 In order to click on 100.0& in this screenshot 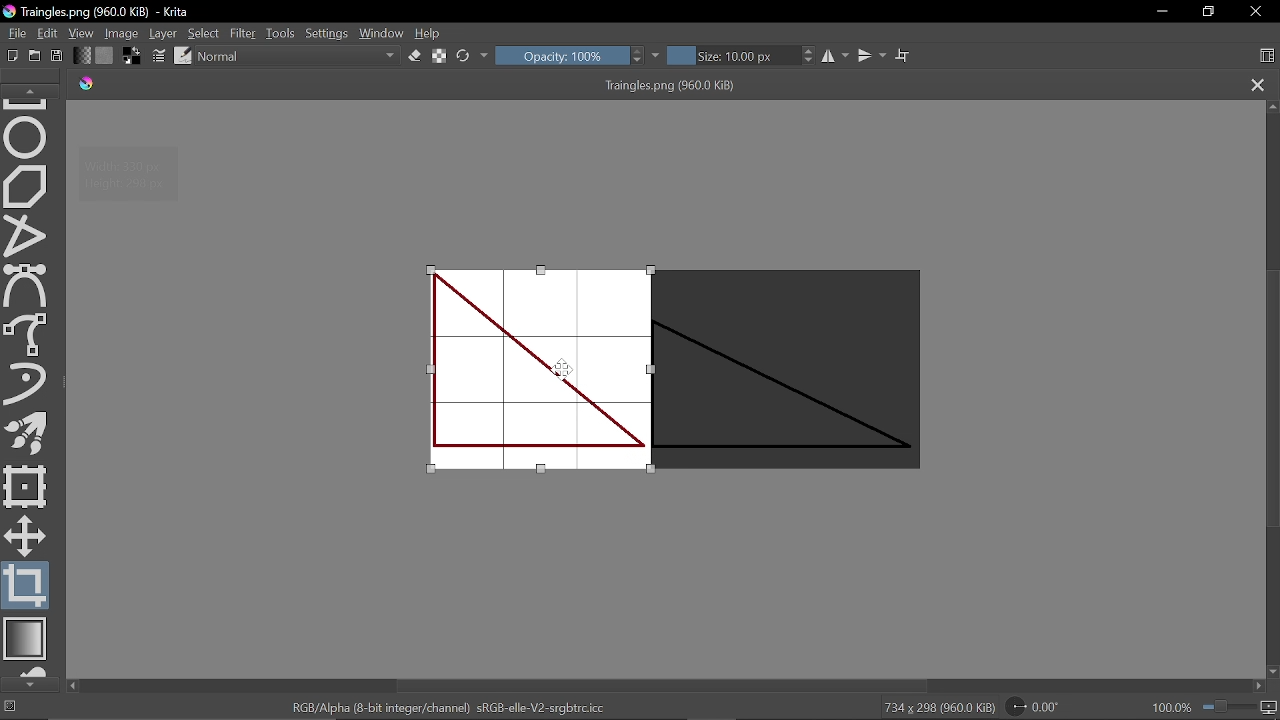, I will do `click(1216, 705)`.